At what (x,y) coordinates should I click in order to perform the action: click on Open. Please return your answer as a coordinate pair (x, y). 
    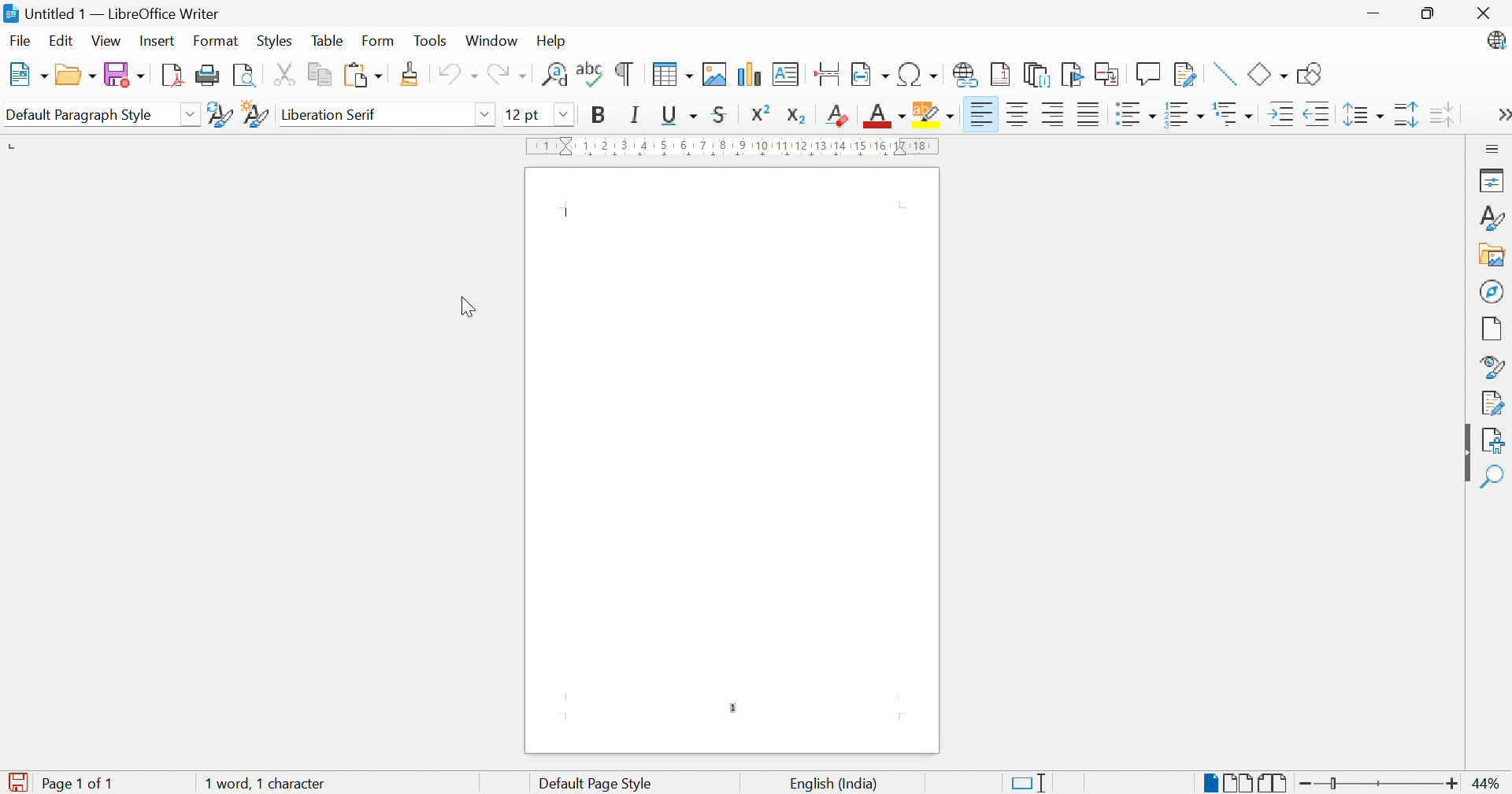
    Looking at the image, I should click on (75, 77).